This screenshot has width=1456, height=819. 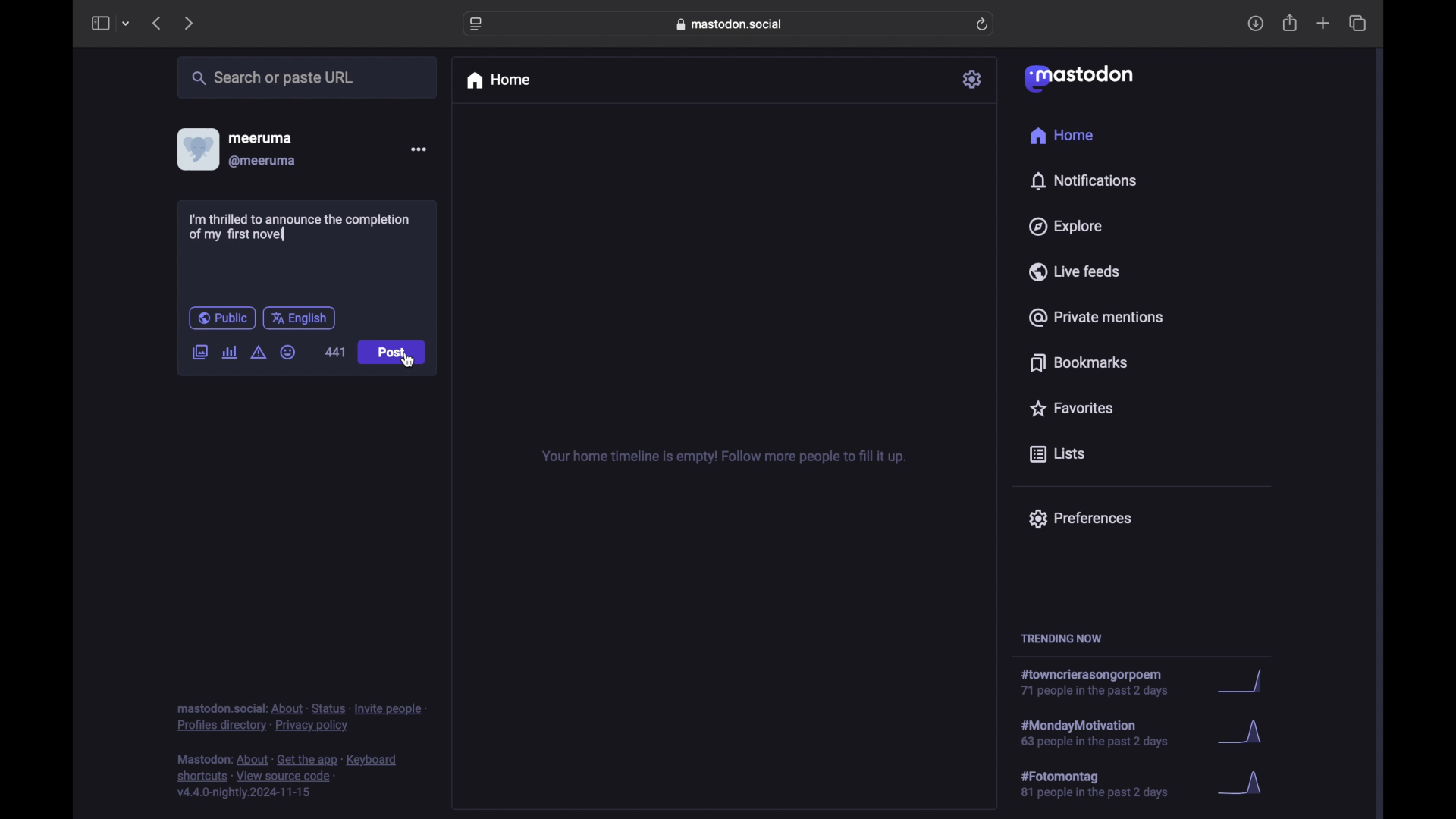 I want to click on post, so click(x=393, y=353).